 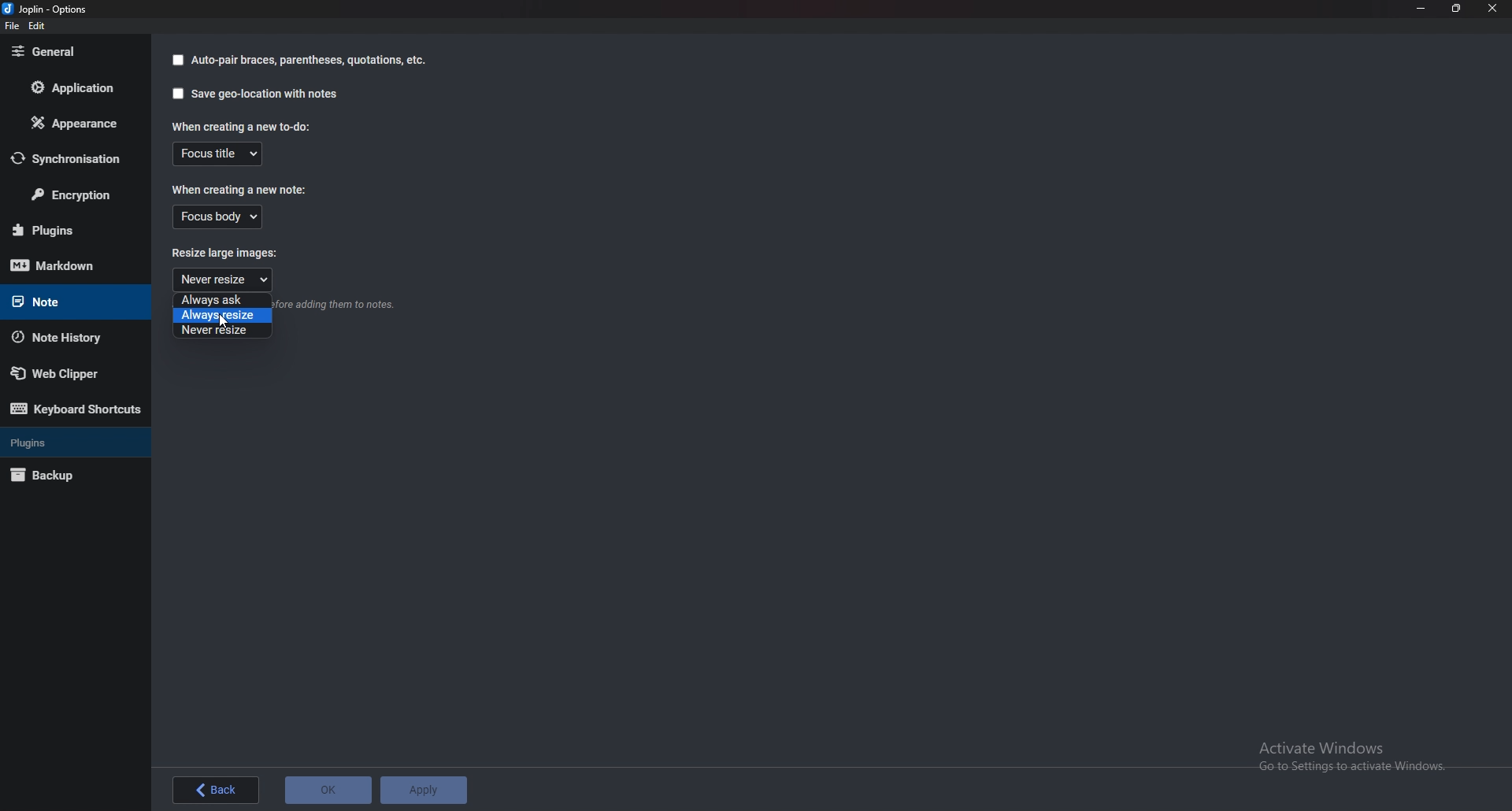 What do you see at coordinates (71, 87) in the screenshot?
I see `Application` at bounding box center [71, 87].